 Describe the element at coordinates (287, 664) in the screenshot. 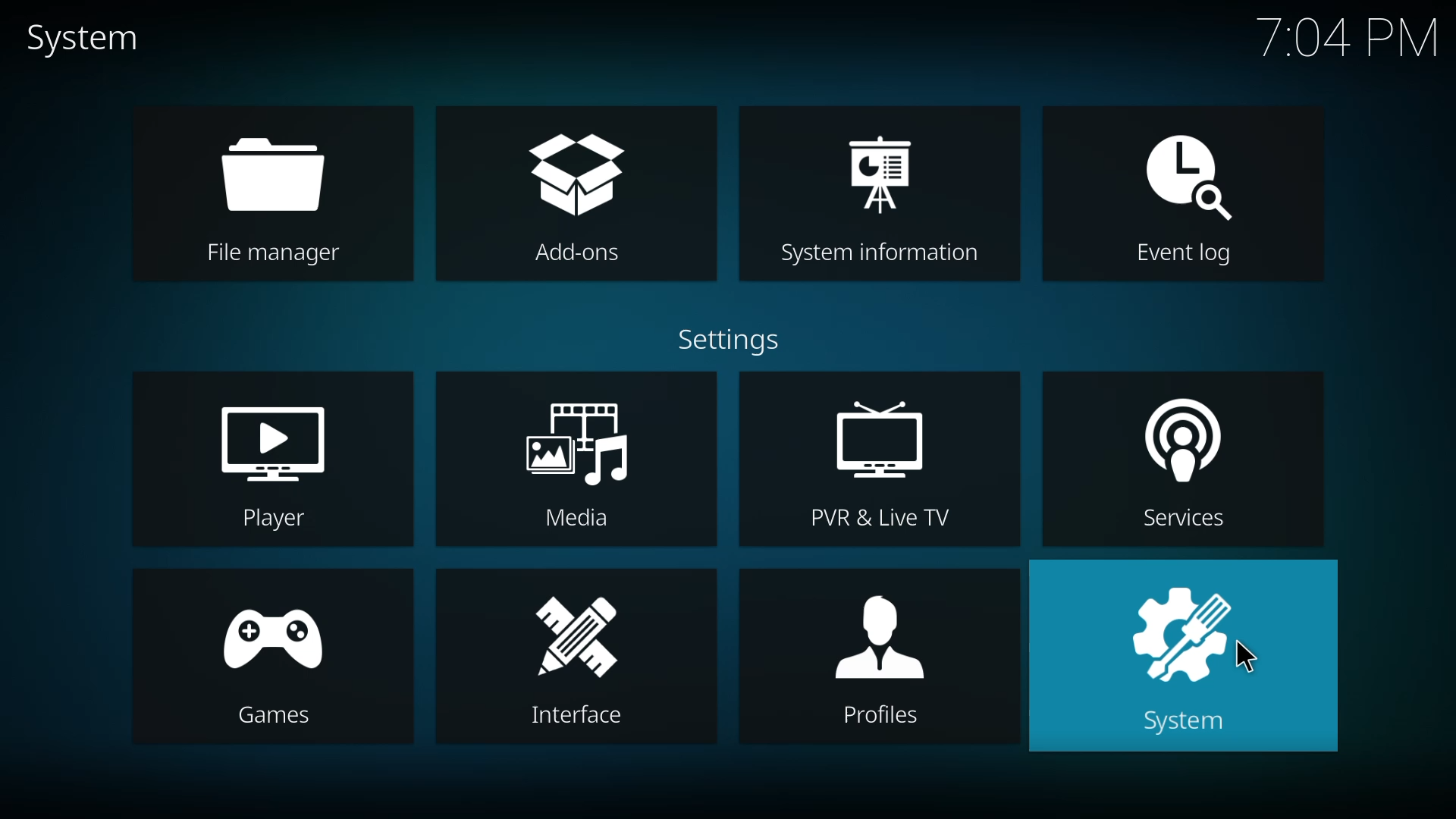

I see `games` at that location.